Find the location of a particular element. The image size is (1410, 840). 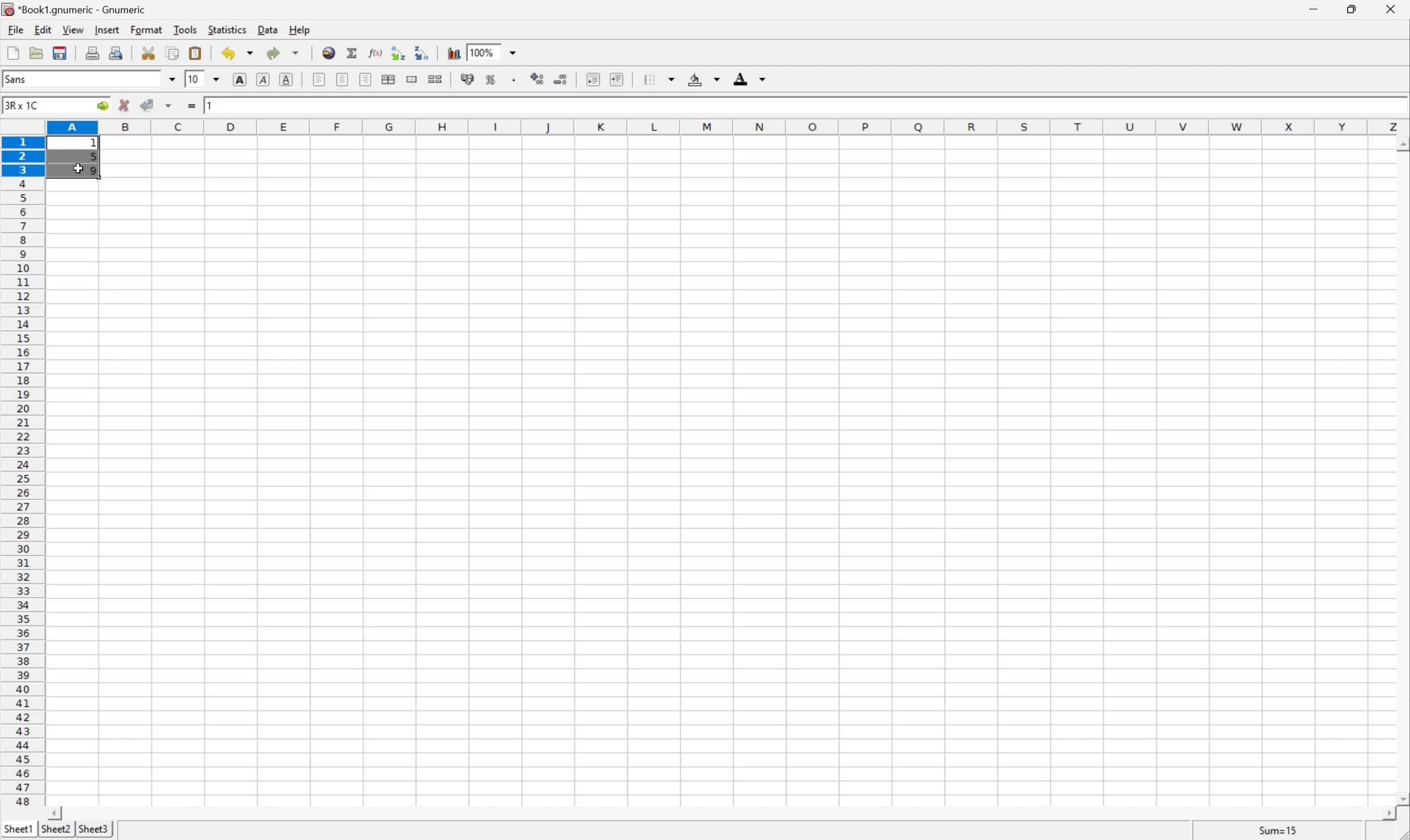

decrease indent is located at coordinates (594, 79).